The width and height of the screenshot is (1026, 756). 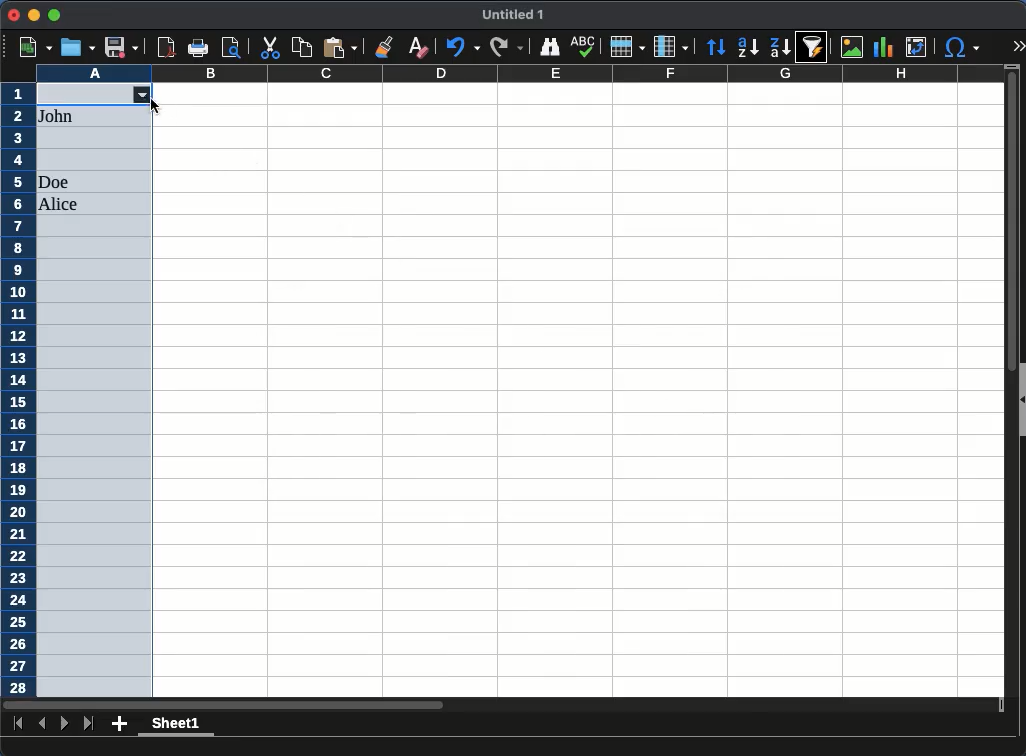 What do you see at coordinates (781, 48) in the screenshot?
I see `descending` at bounding box center [781, 48].